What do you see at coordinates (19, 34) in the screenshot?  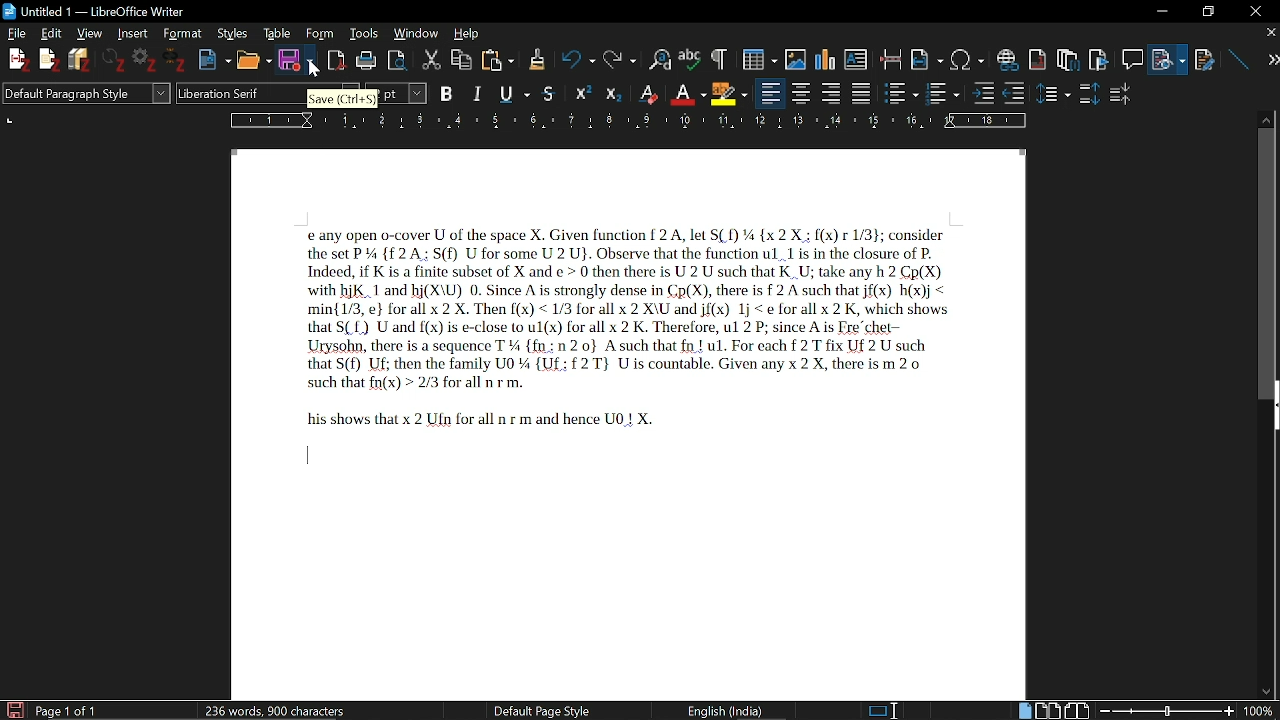 I see `File` at bounding box center [19, 34].